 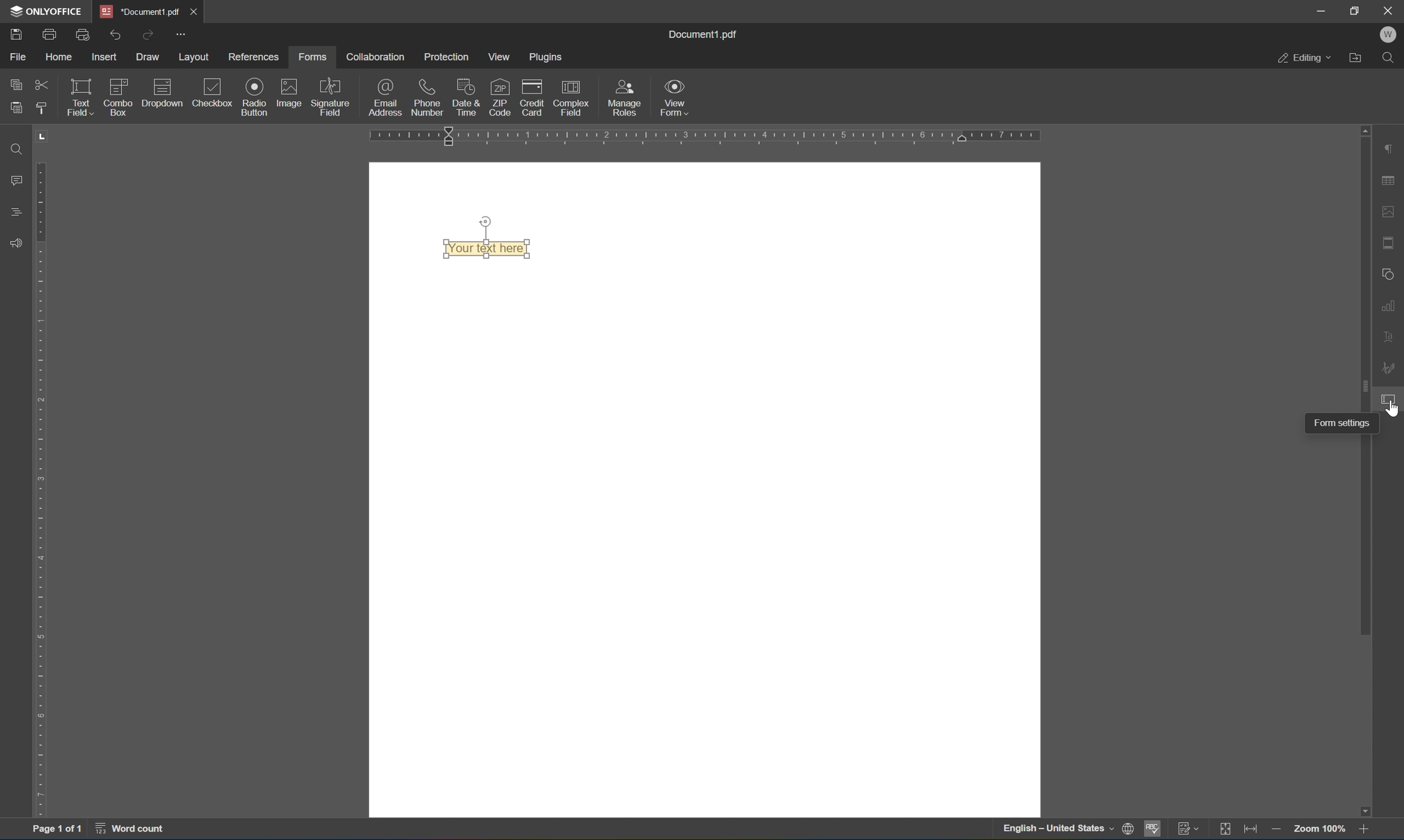 What do you see at coordinates (1187, 829) in the screenshot?
I see `track changes` at bounding box center [1187, 829].